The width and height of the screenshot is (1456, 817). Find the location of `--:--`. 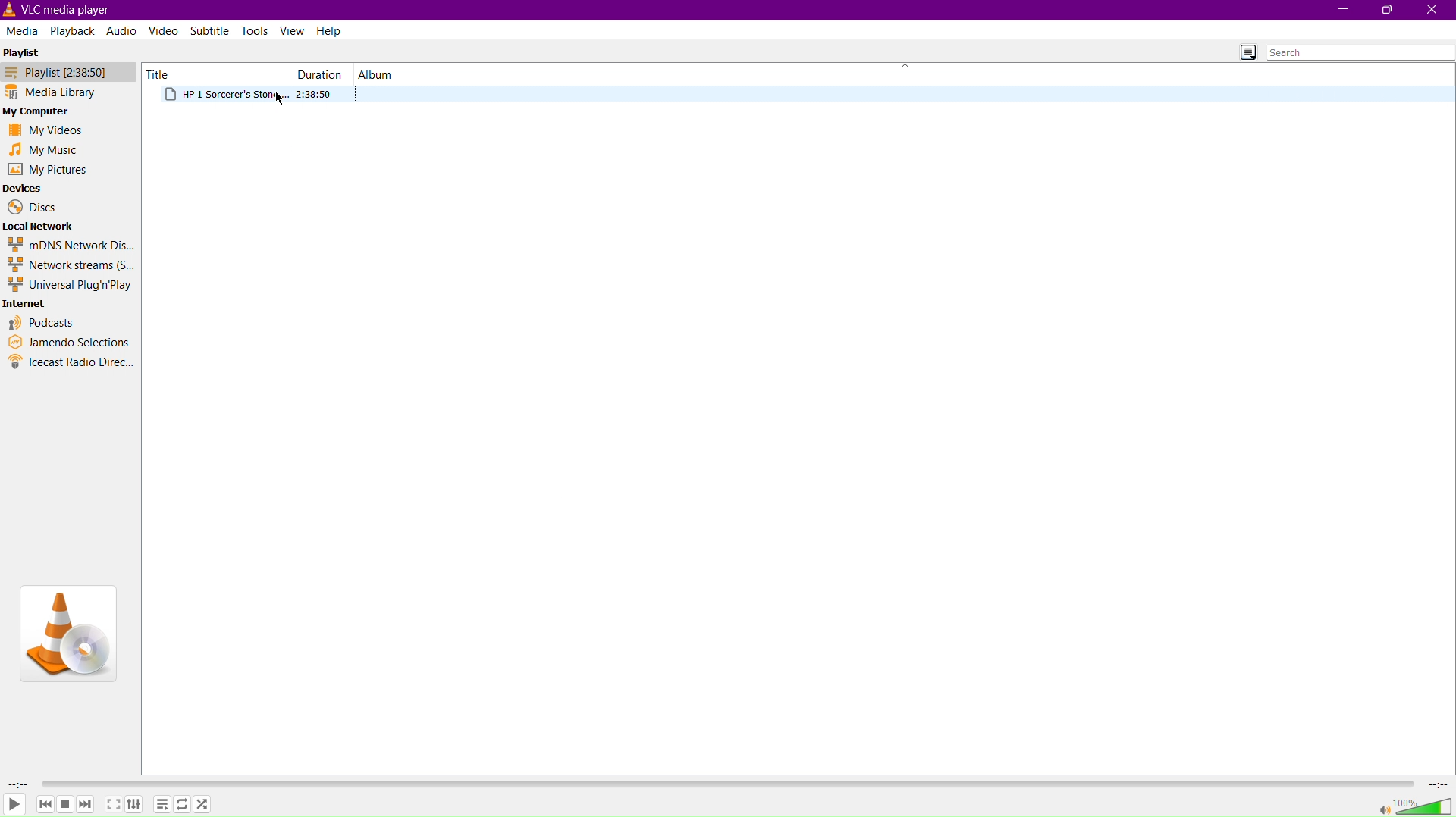

--:-- is located at coordinates (18, 784).